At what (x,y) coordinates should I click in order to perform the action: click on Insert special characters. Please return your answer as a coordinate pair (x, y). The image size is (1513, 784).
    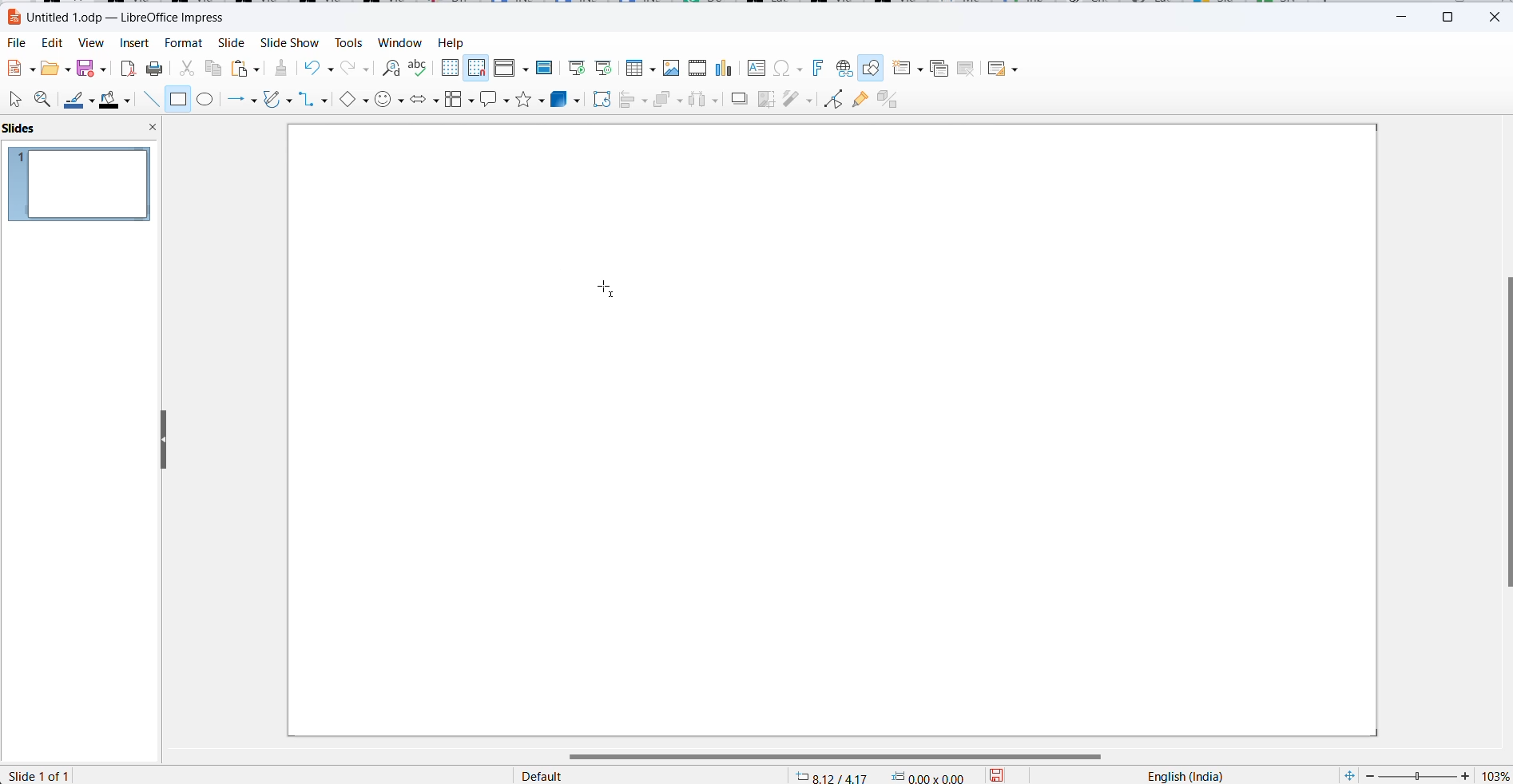
    Looking at the image, I should click on (790, 69).